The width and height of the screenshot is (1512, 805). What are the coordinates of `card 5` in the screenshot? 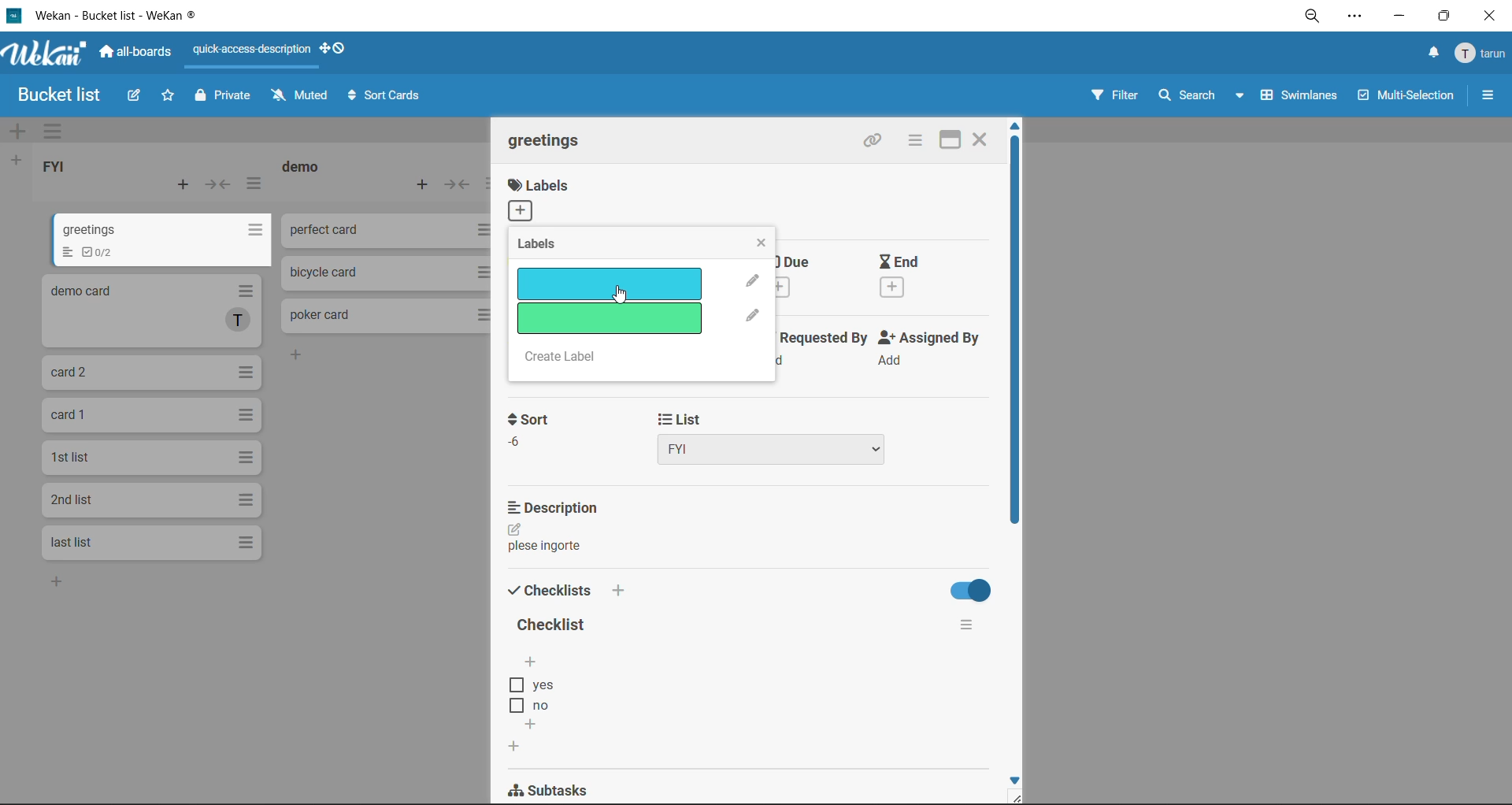 It's located at (150, 458).